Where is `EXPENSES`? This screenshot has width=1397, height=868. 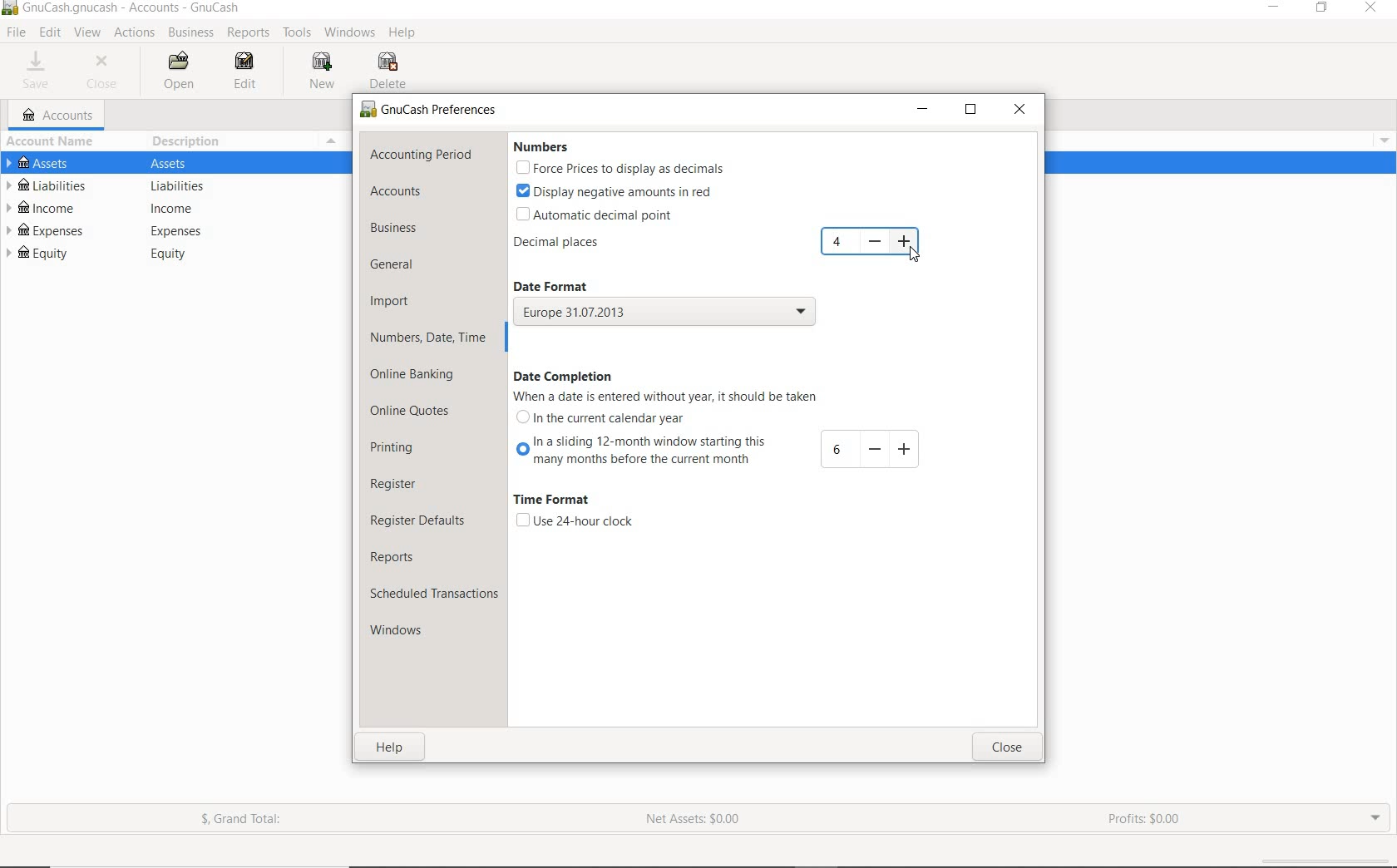
EXPENSES is located at coordinates (177, 230).